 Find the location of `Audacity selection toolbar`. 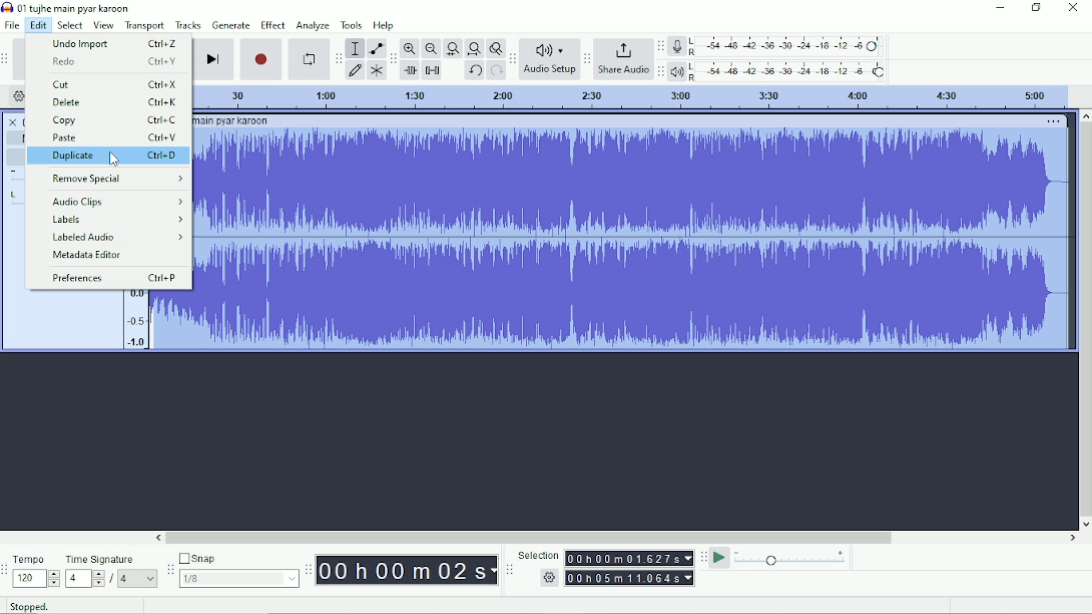

Audacity selection toolbar is located at coordinates (509, 570).